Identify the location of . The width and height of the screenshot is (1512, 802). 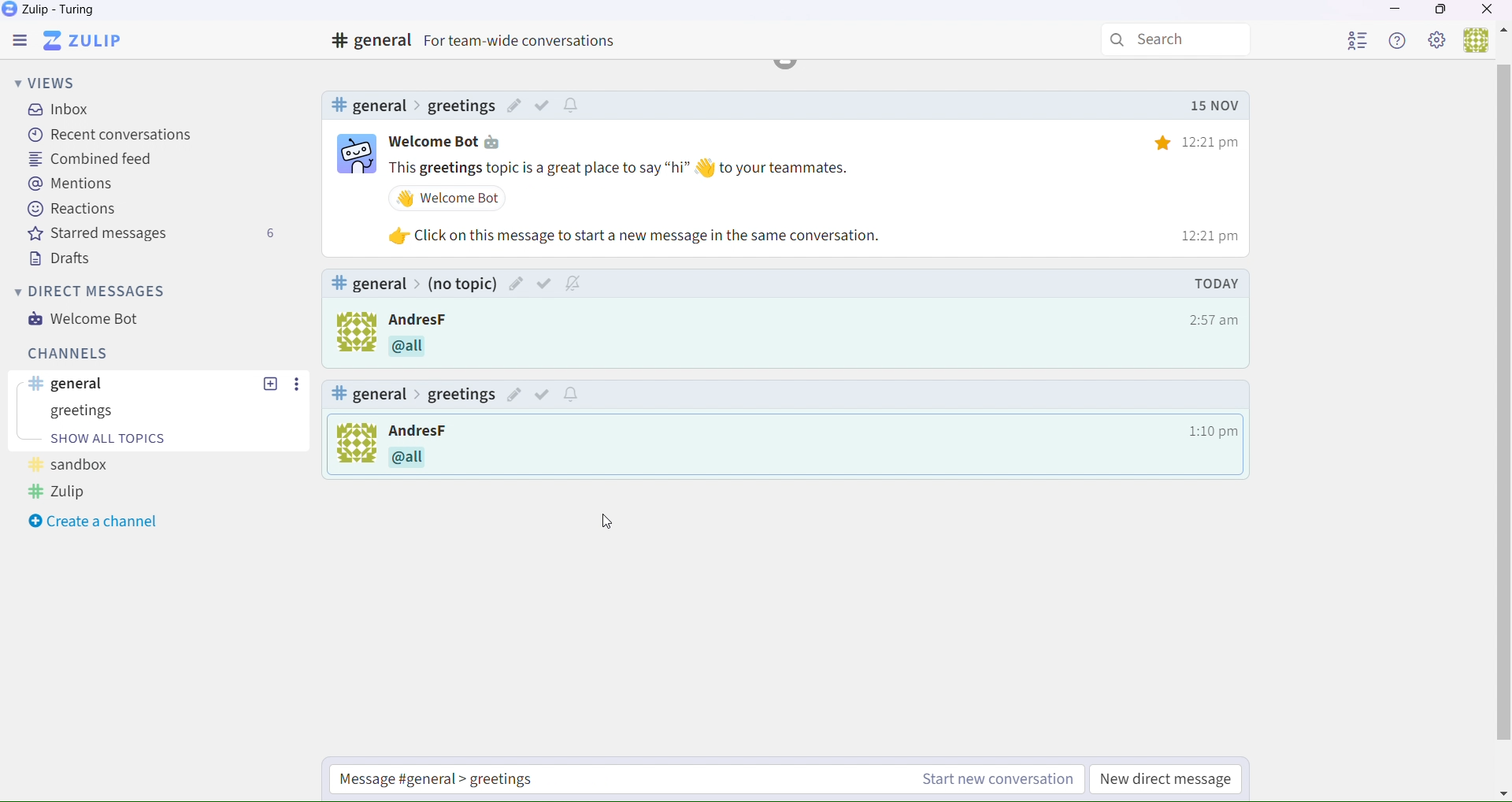
(546, 282).